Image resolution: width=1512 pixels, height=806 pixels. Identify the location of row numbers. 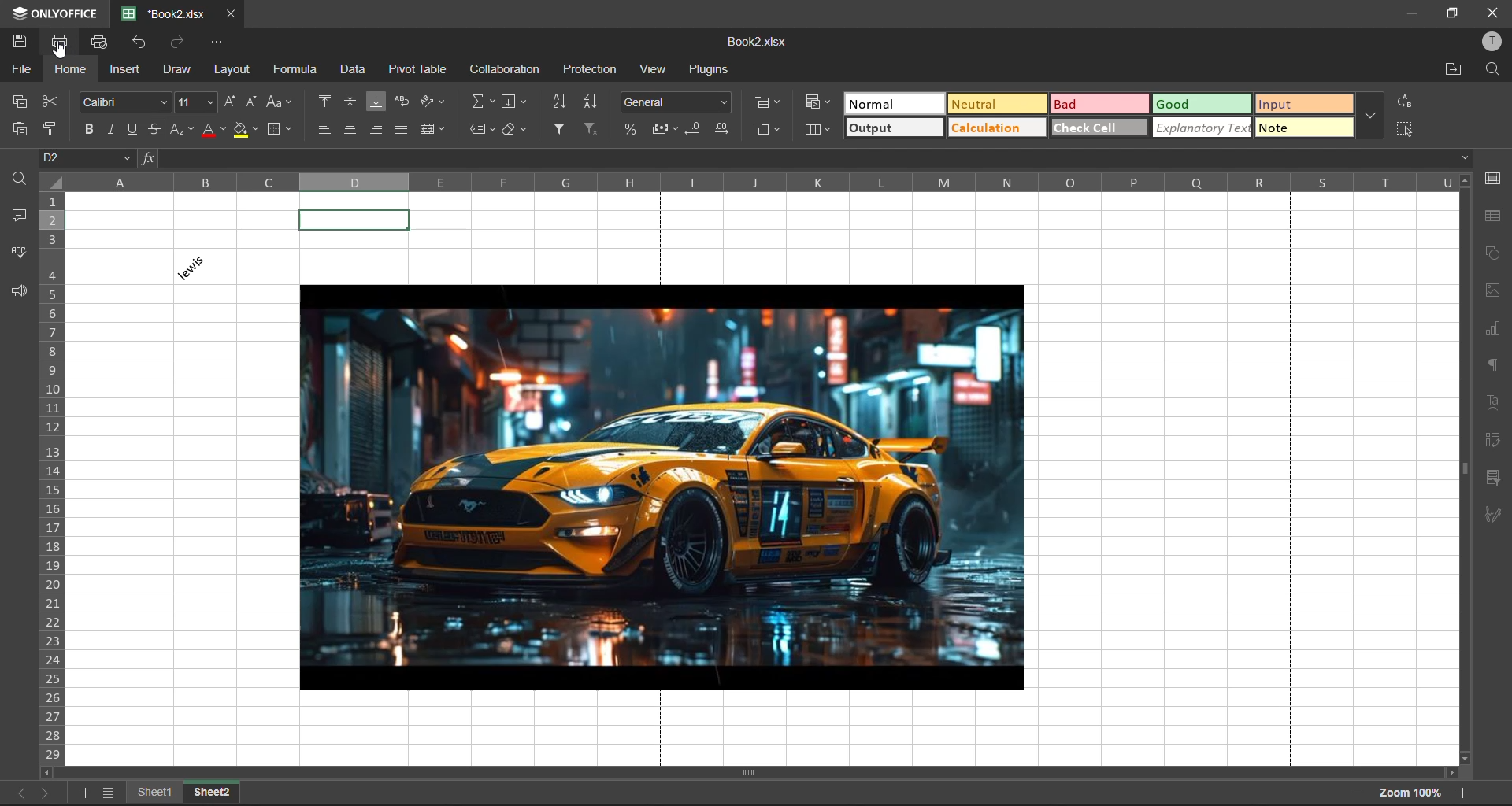
(56, 476).